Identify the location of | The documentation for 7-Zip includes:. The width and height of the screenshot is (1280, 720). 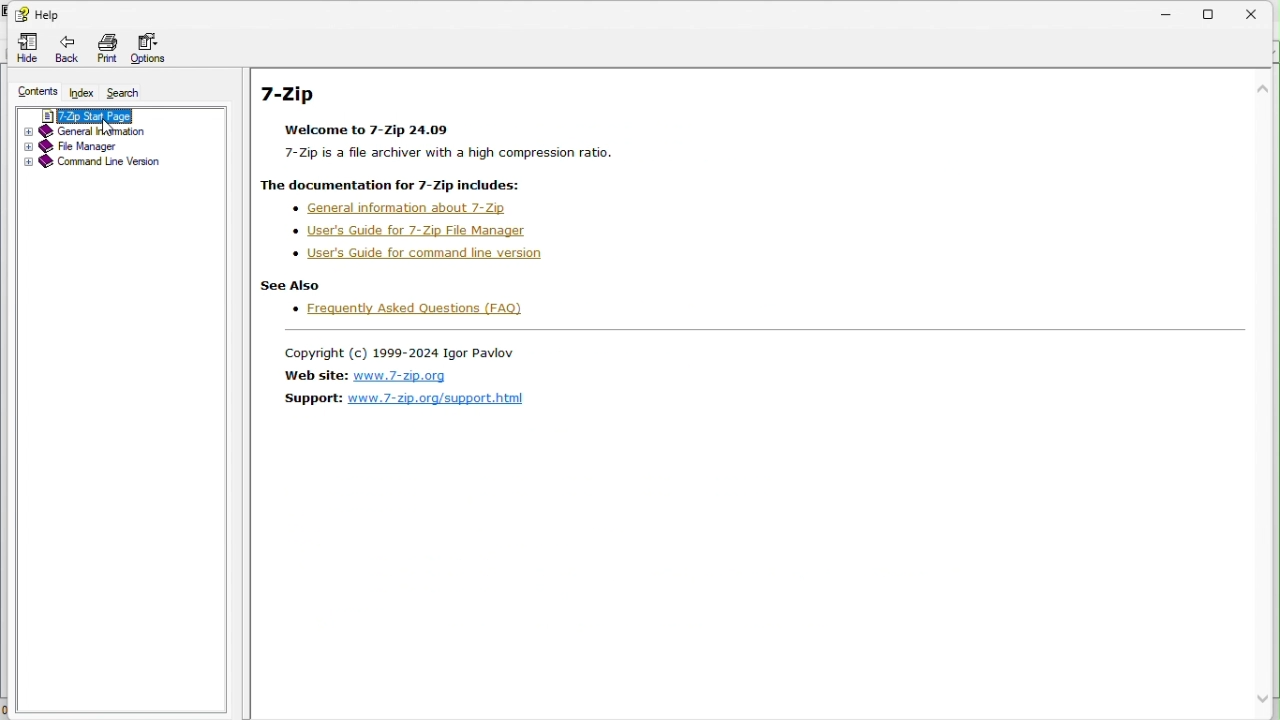
(395, 185).